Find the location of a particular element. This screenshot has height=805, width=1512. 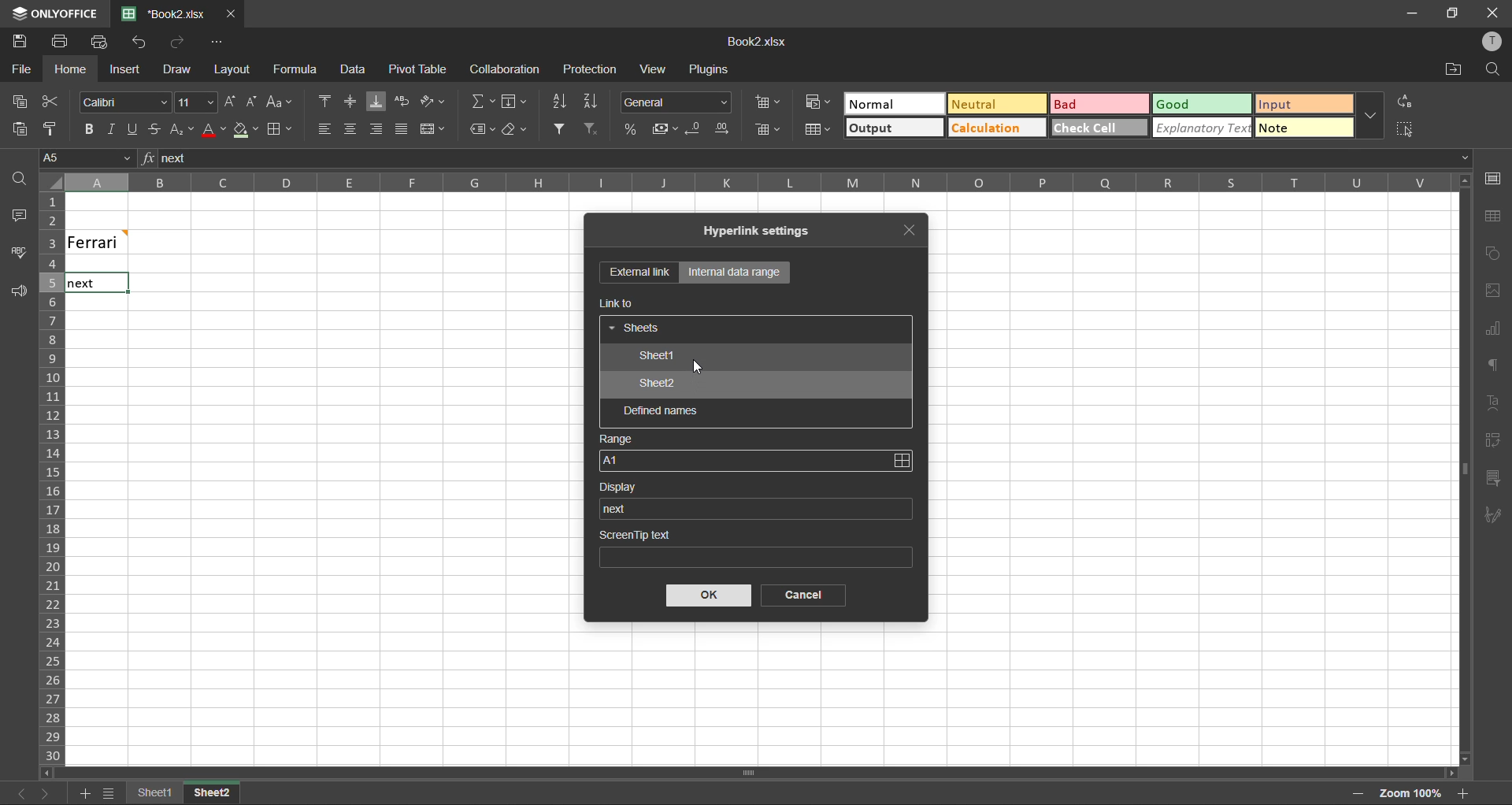

image is located at coordinates (1493, 293).